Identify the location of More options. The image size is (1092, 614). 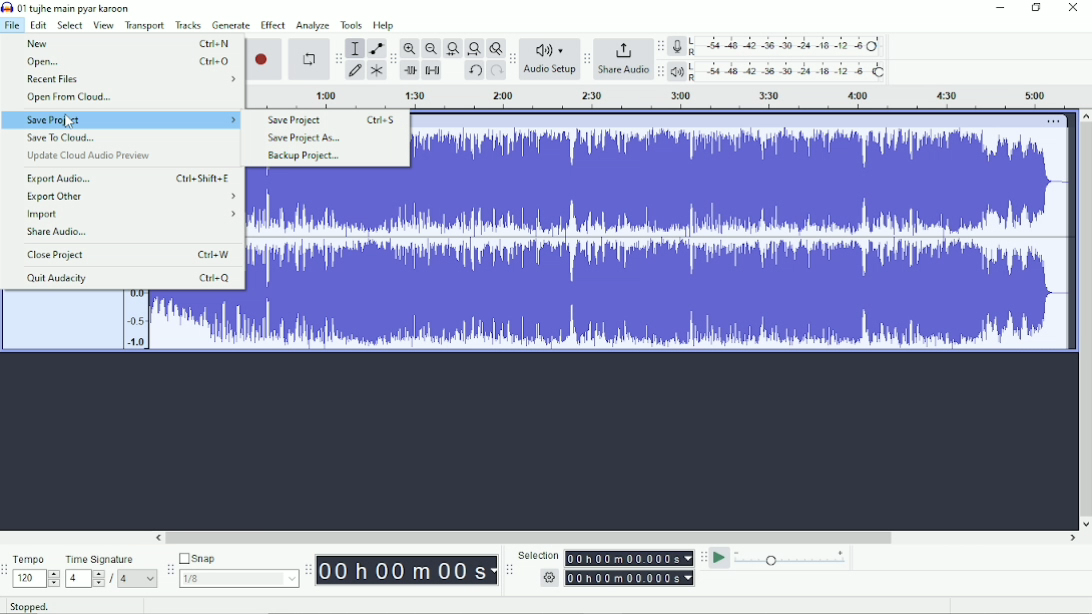
(1056, 121).